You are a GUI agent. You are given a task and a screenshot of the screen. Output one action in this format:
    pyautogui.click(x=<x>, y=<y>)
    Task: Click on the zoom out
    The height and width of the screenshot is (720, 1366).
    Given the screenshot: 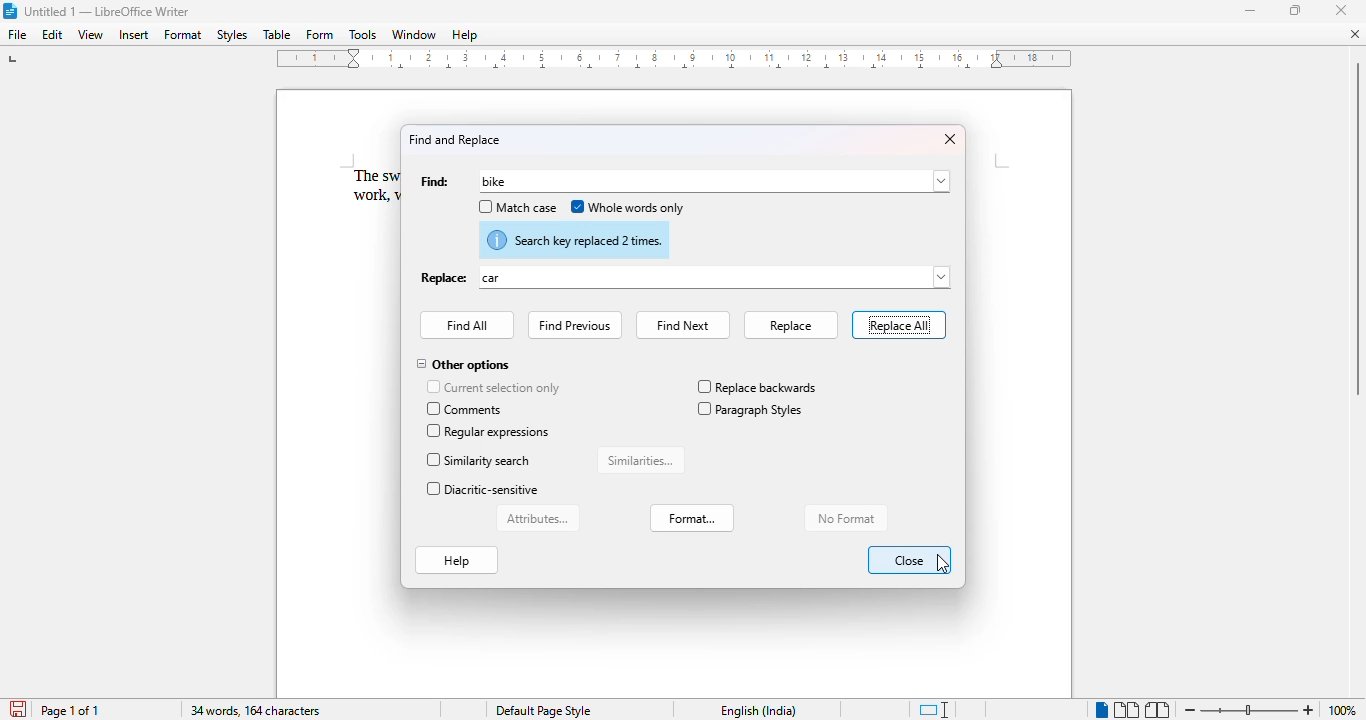 What is the action you would take?
    pyautogui.click(x=1188, y=708)
    